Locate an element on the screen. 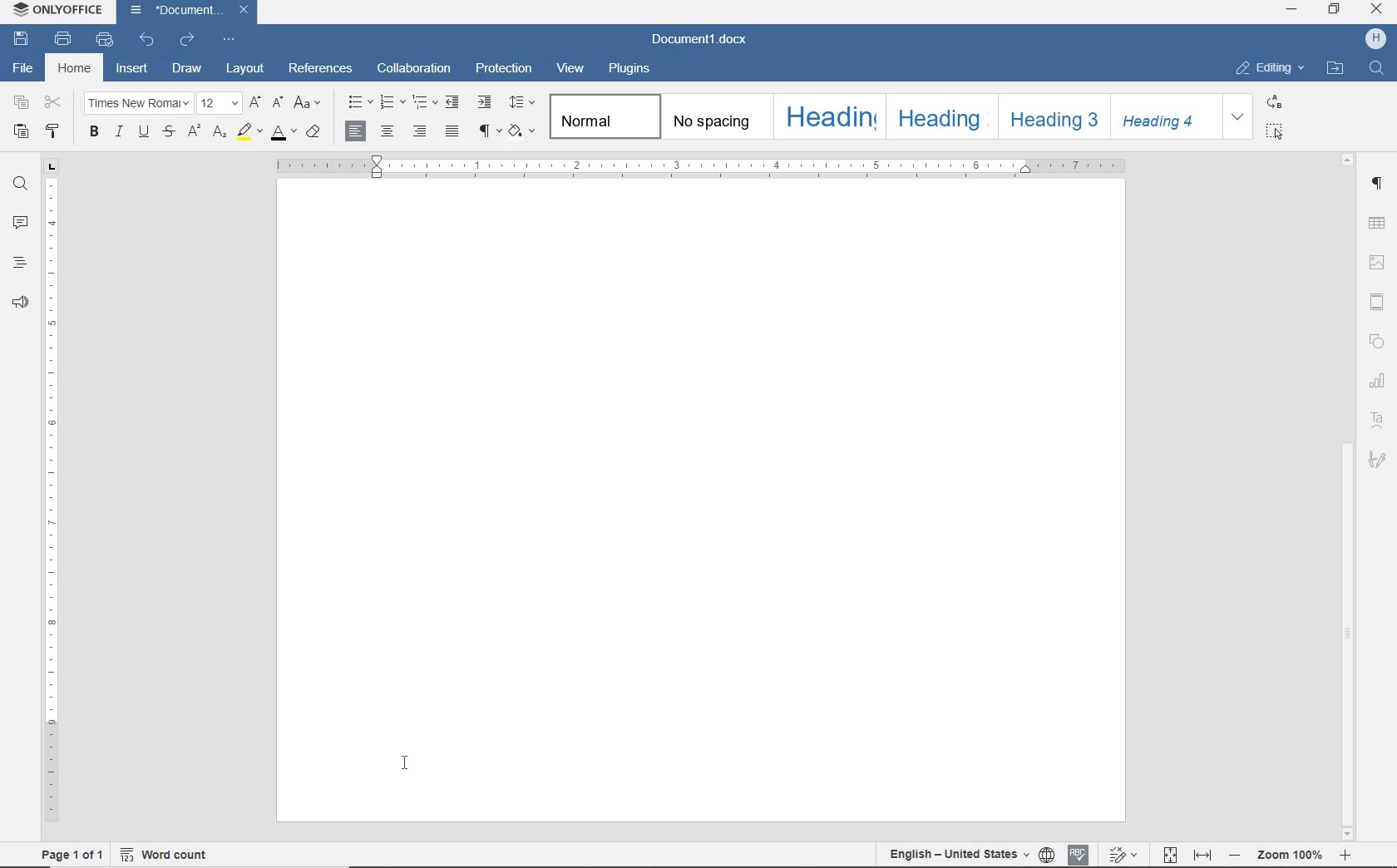 The height and width of the screenshot is (868, 1397). Heading 4 is located at coordinates (1171, 116).